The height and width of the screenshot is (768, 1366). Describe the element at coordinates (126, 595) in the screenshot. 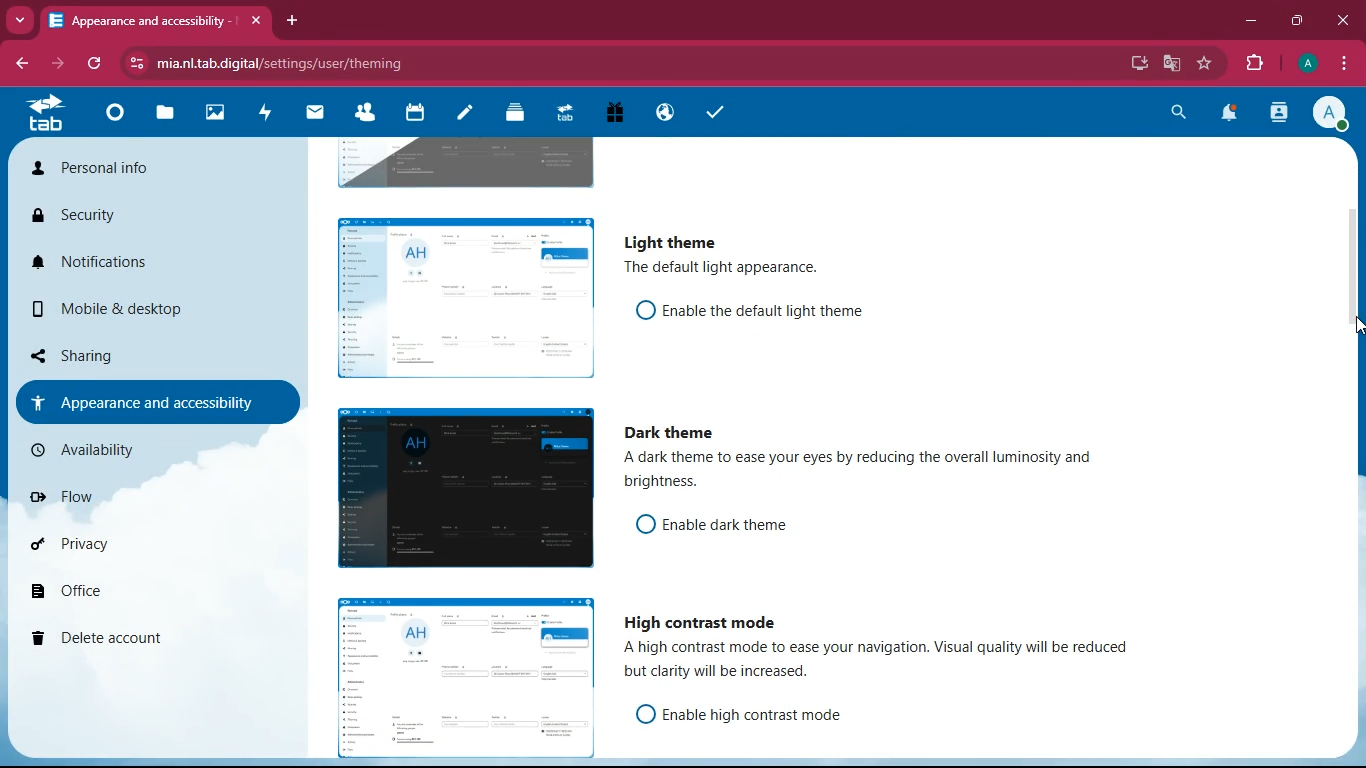

I see `office` at that location.